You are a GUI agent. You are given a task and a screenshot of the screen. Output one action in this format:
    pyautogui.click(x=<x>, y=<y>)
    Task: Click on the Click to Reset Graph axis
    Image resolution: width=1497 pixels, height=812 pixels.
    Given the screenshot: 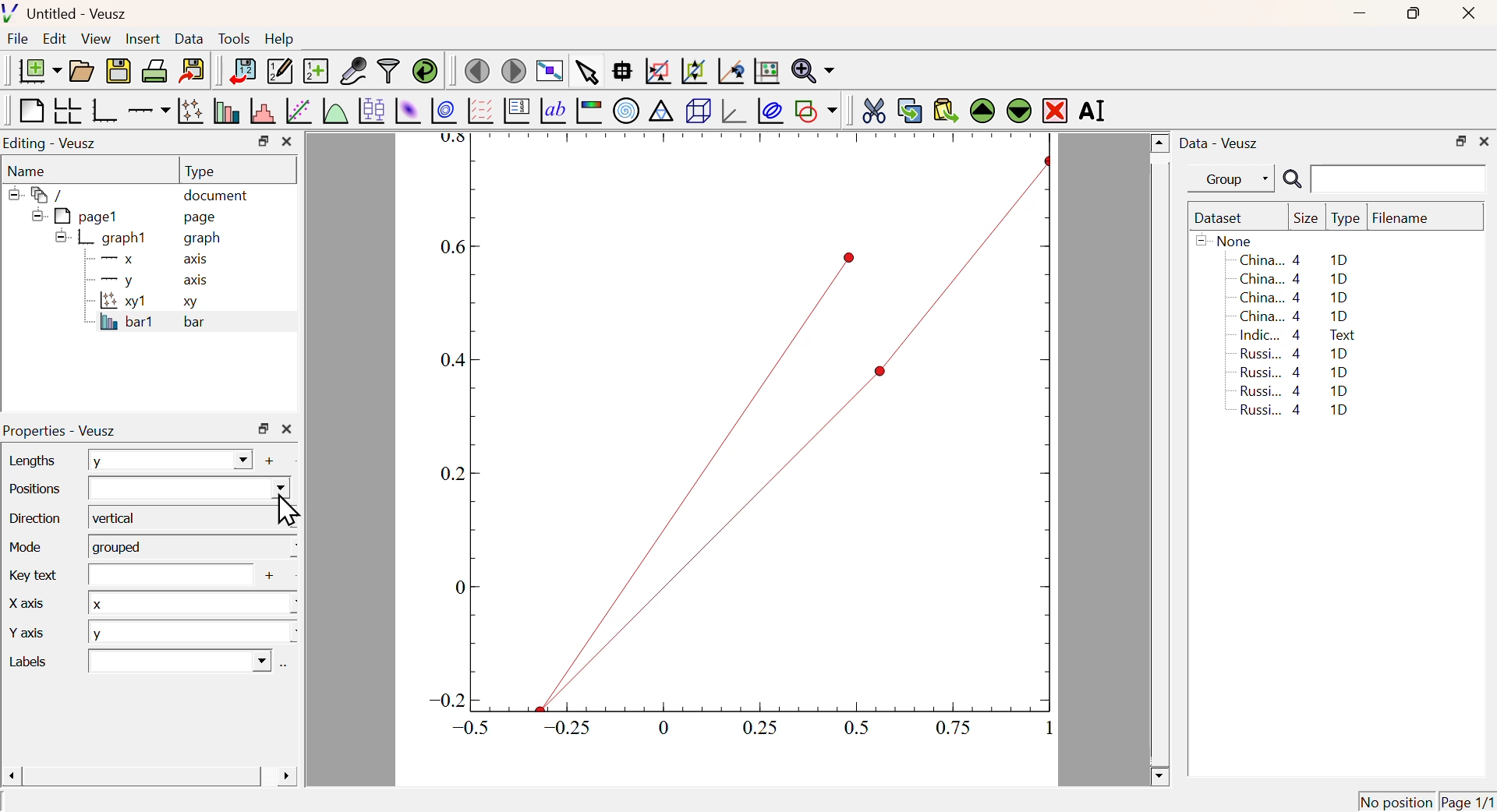 What is the action you would take?
    pyautogui.click(x=766, y=69)
    